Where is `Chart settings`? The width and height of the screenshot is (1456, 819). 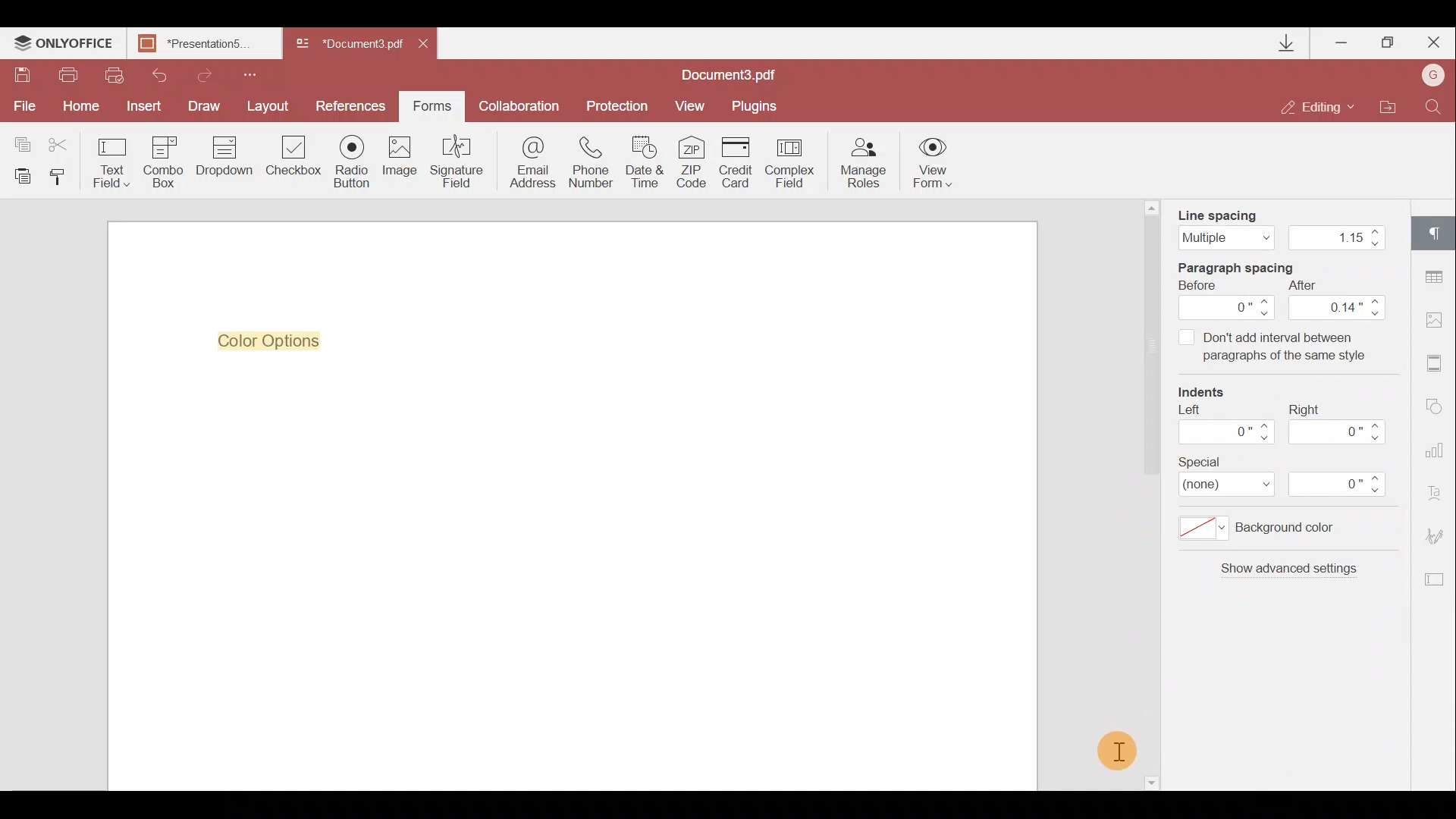
Chart settings is located at coordinates (1438, 450).